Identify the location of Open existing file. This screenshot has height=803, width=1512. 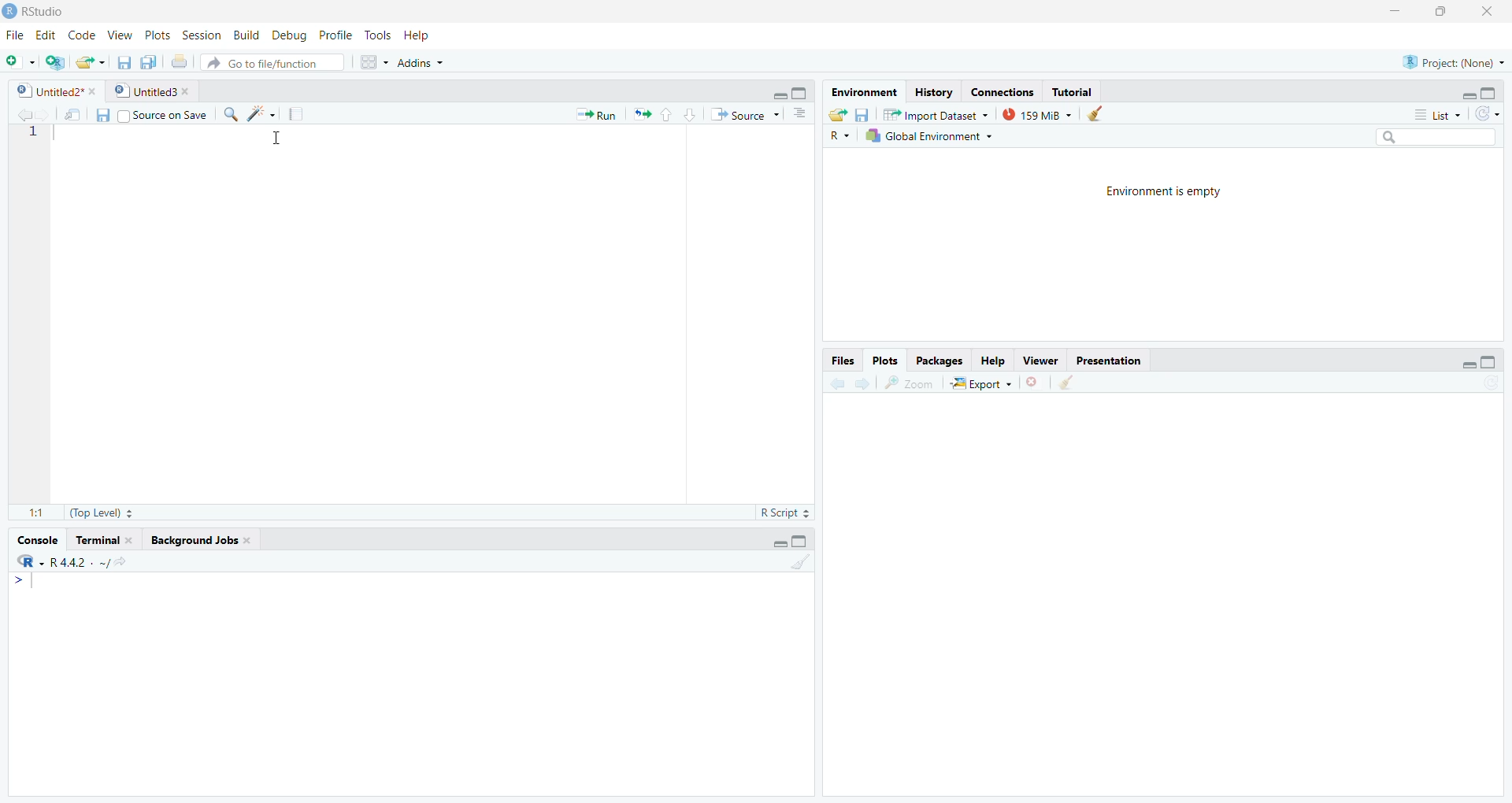
(91, 62).